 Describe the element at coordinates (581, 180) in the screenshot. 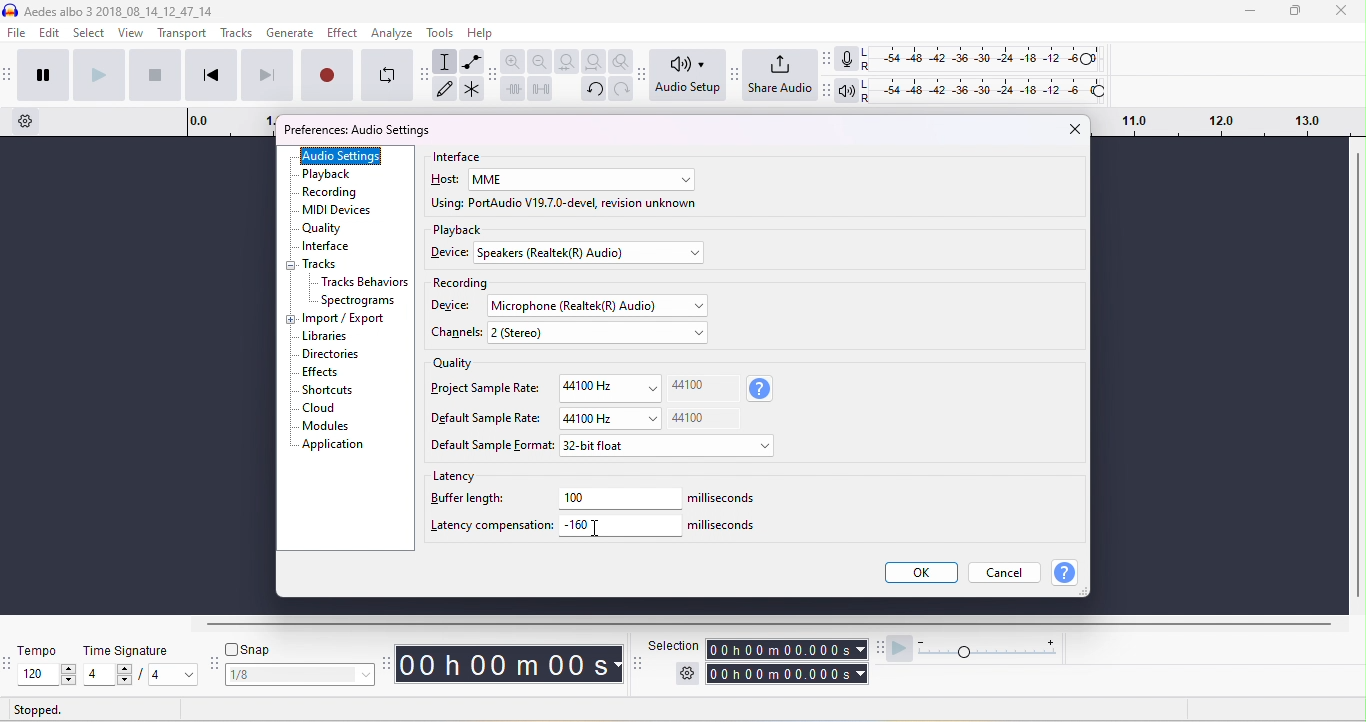

I see `select host` at that location.